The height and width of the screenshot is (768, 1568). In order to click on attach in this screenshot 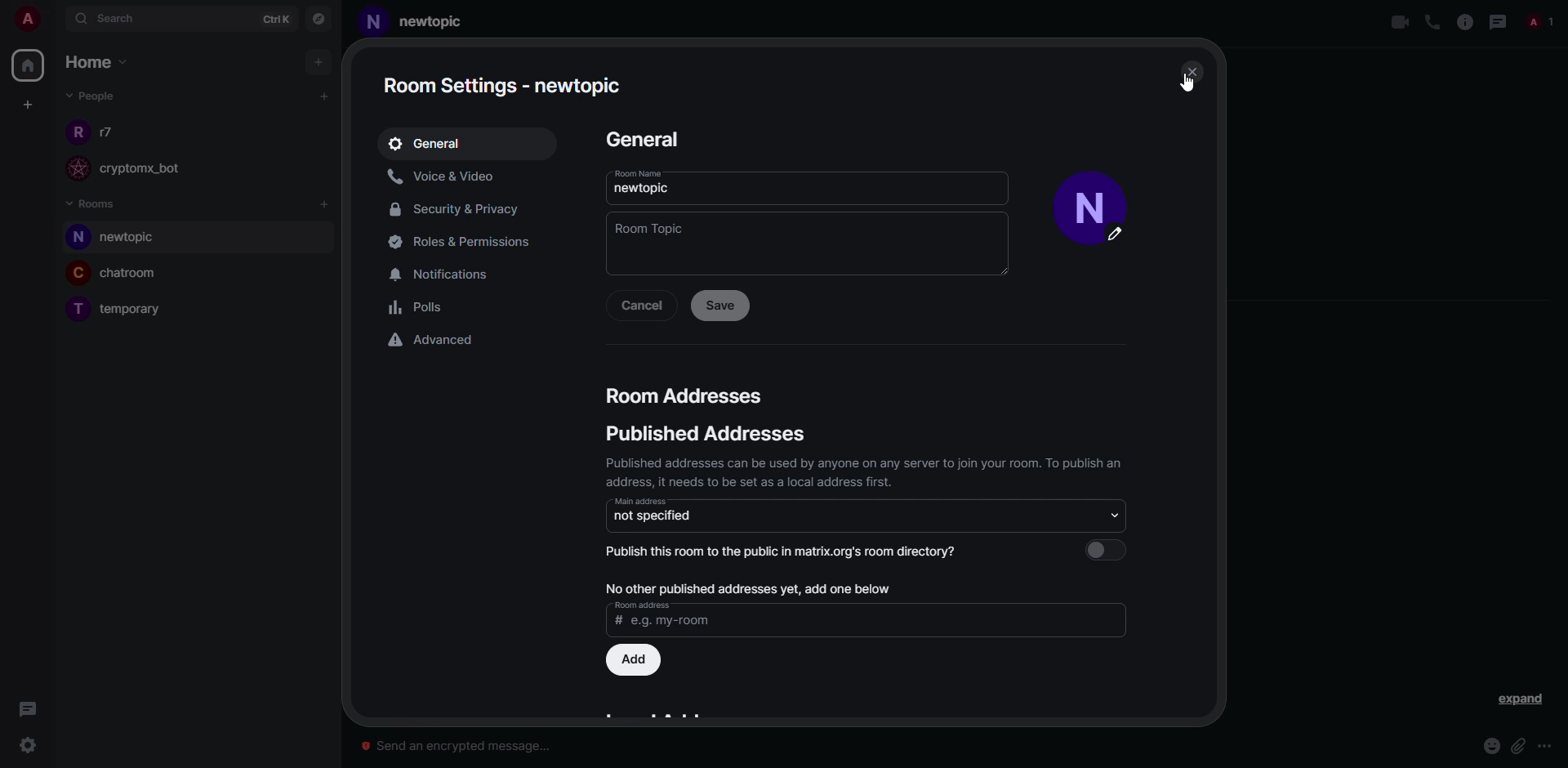, I will do `click(1518, 746)`.